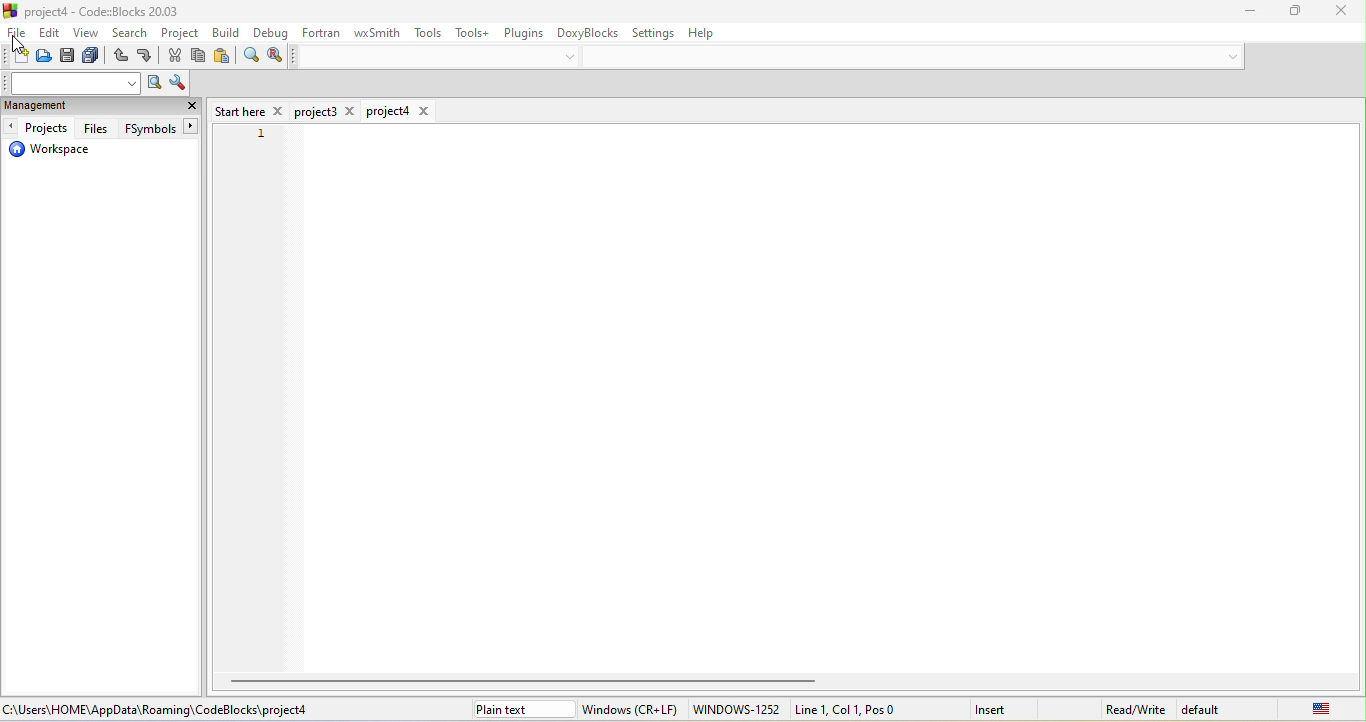 This screenshot has height=722, width=1366. I want to click on files, so click(94, 128).